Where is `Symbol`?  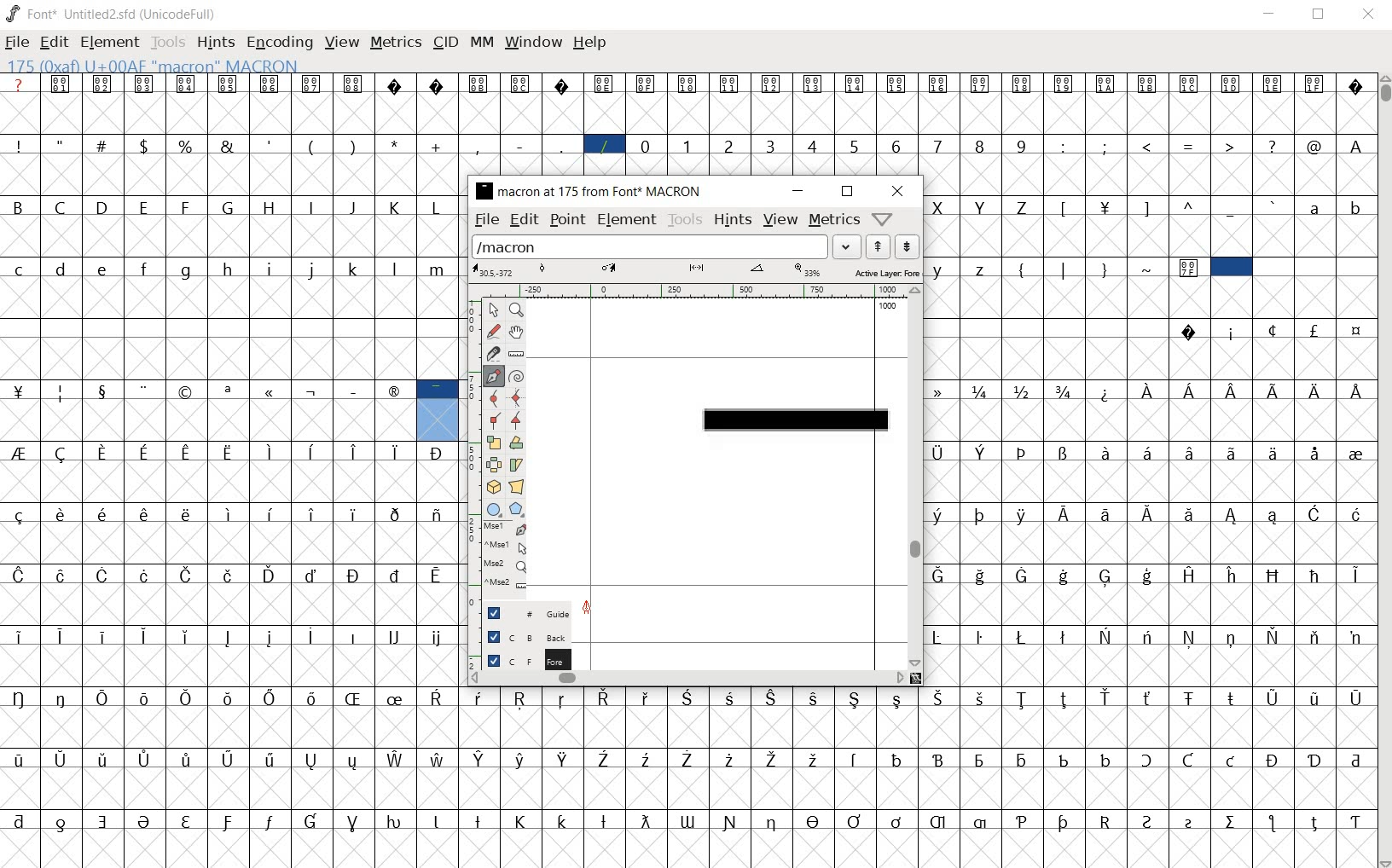
Symbol is located at coordinates (314, 820).